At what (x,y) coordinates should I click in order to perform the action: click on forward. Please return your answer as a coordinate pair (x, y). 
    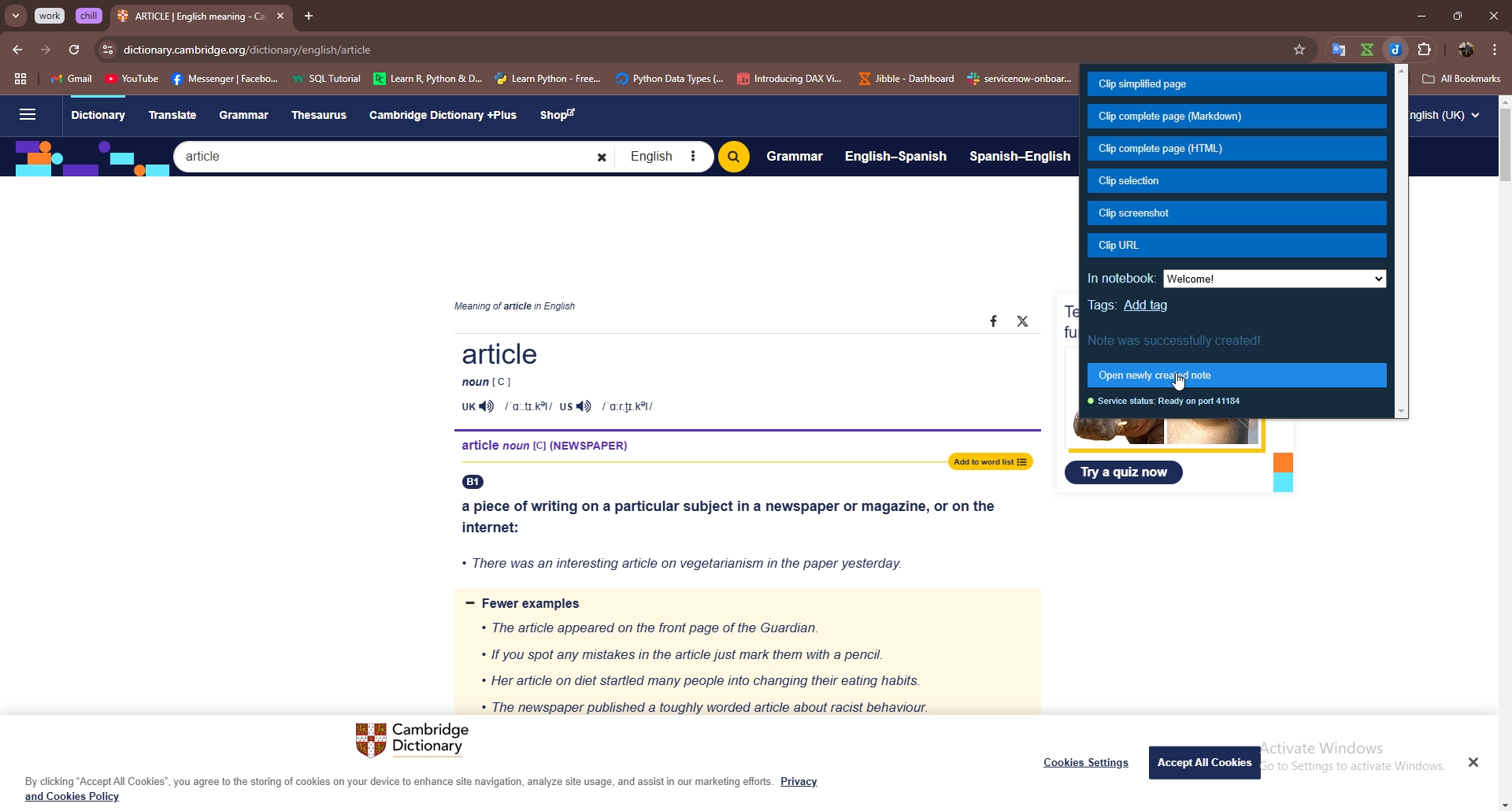
    Looking at the image, I should click on (45, 51).